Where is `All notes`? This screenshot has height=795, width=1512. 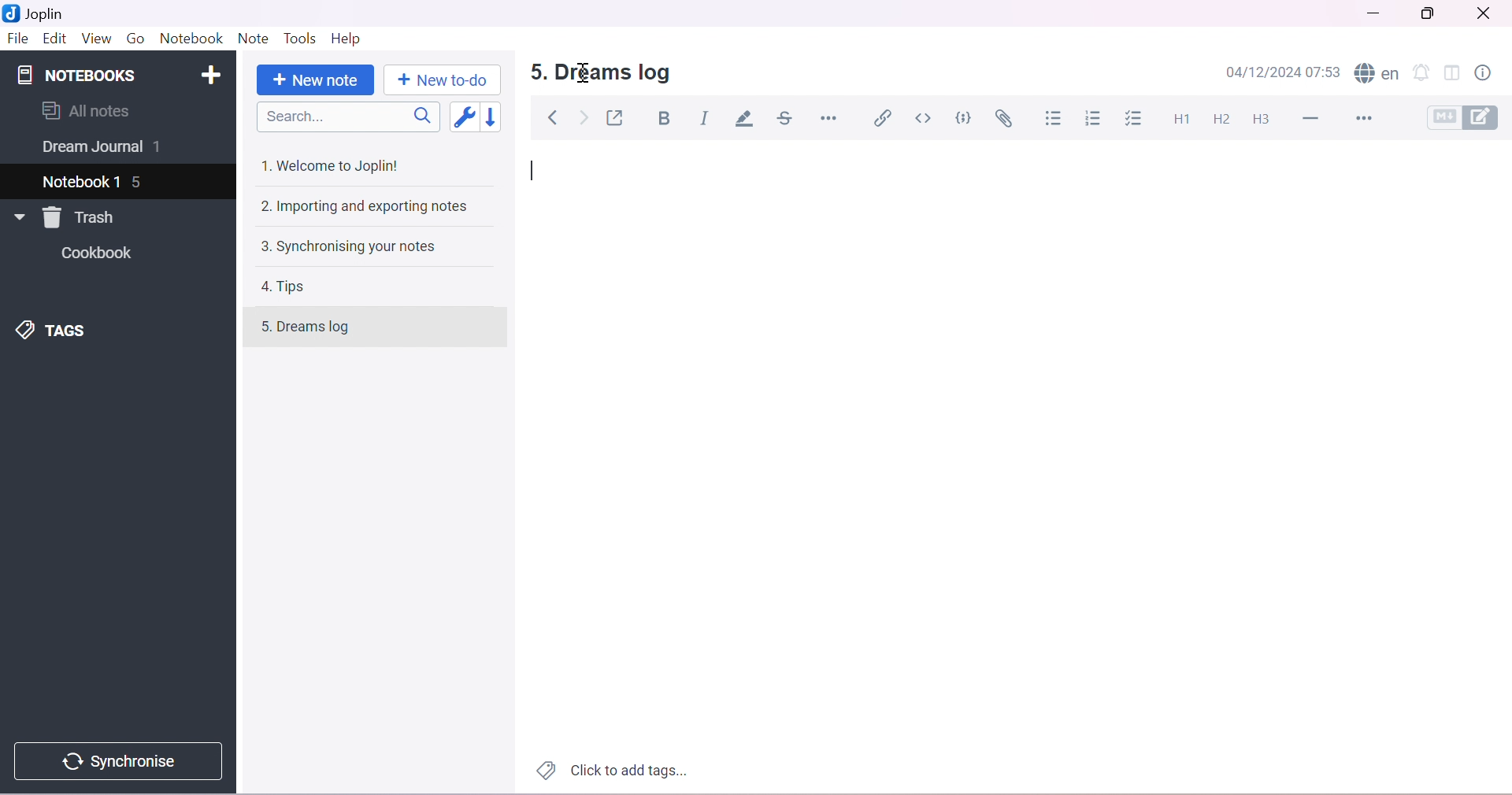
All notes is located at coordinates (86, 110).